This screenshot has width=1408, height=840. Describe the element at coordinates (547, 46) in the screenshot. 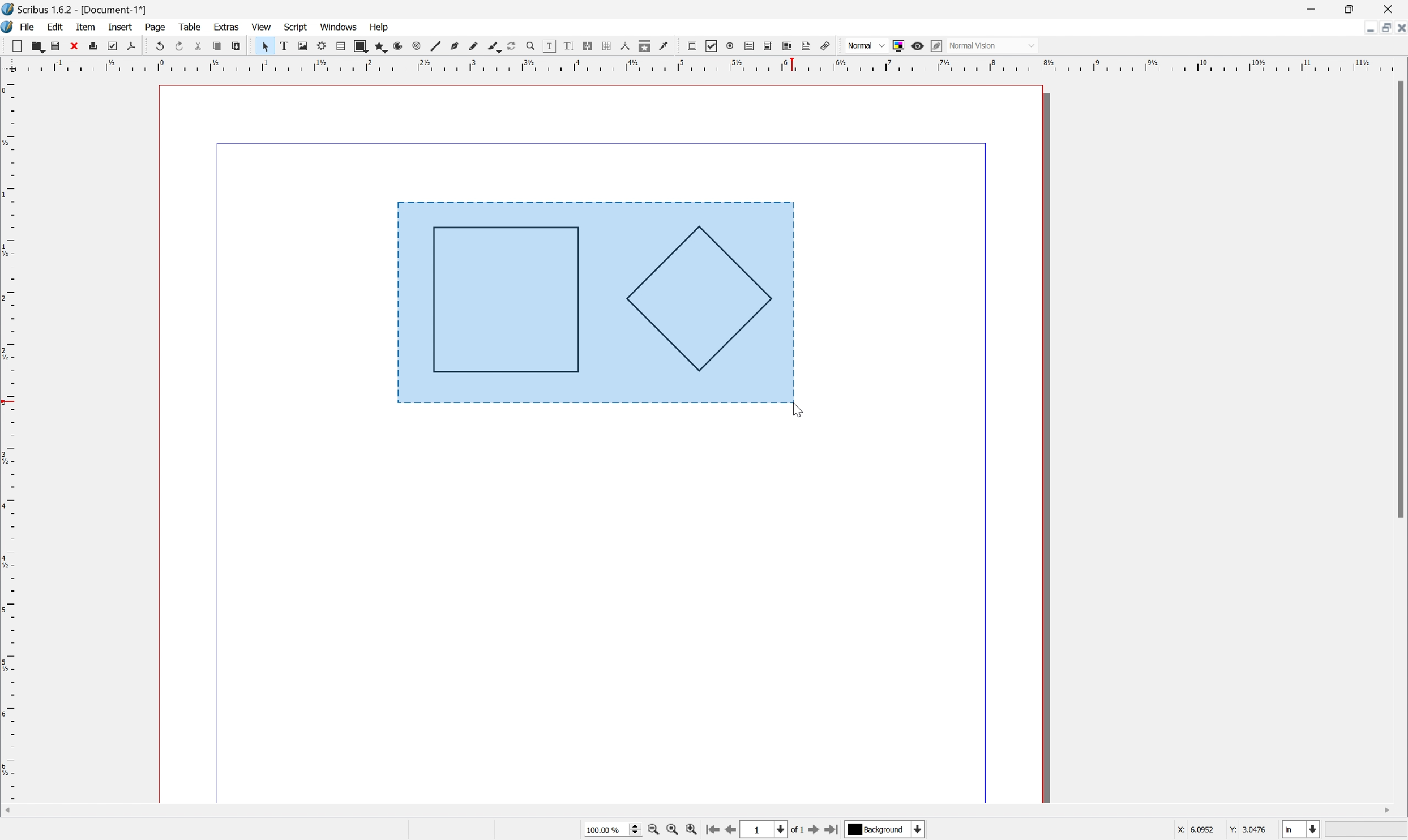

I see `edit contents of frame` at that location.